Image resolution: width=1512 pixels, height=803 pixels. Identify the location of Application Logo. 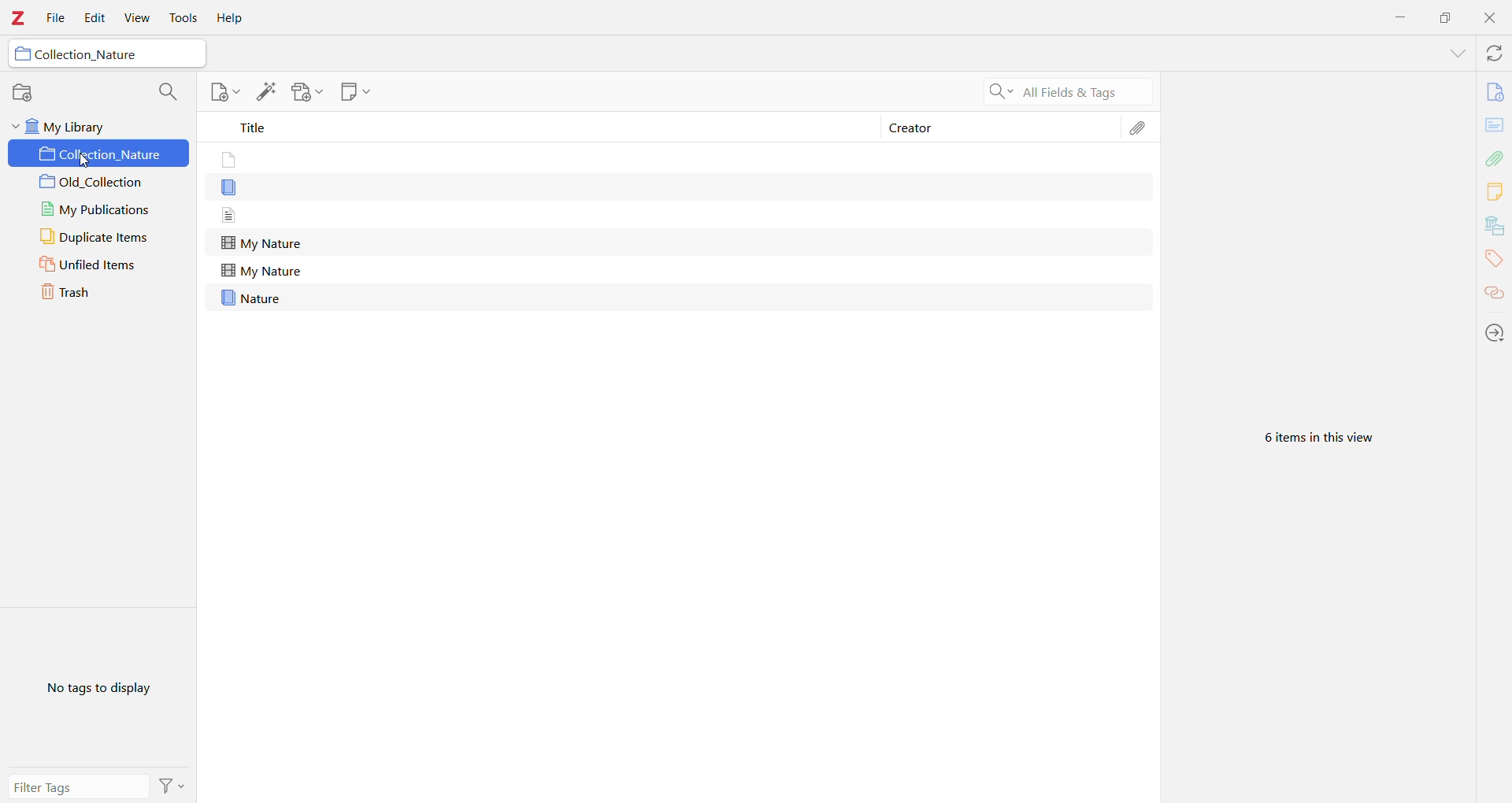
(19, 19).